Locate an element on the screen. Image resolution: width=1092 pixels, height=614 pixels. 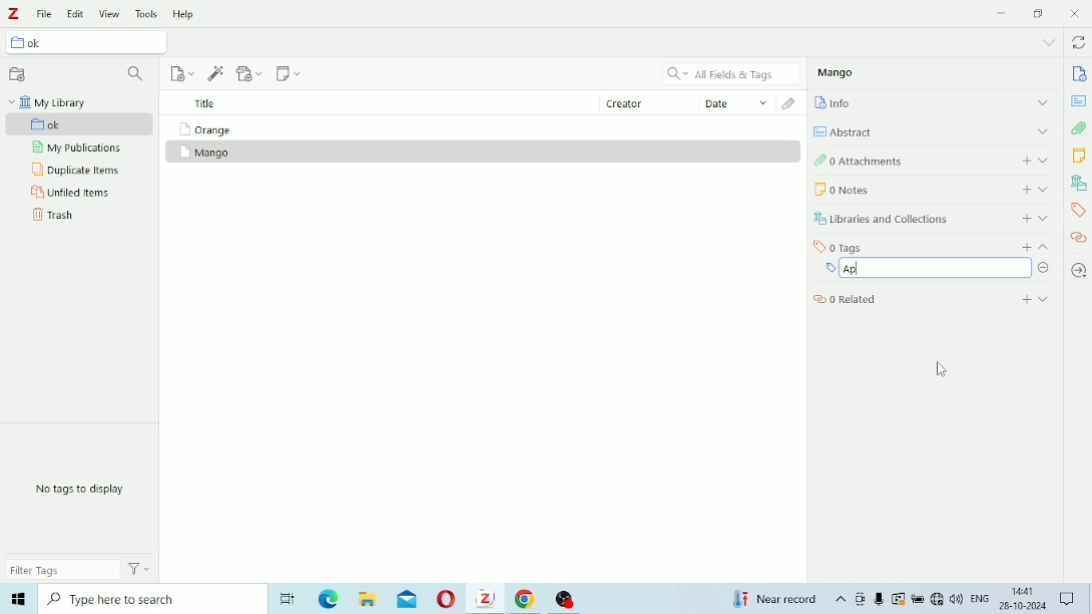
Remove is located at coordinates (1044, 269).